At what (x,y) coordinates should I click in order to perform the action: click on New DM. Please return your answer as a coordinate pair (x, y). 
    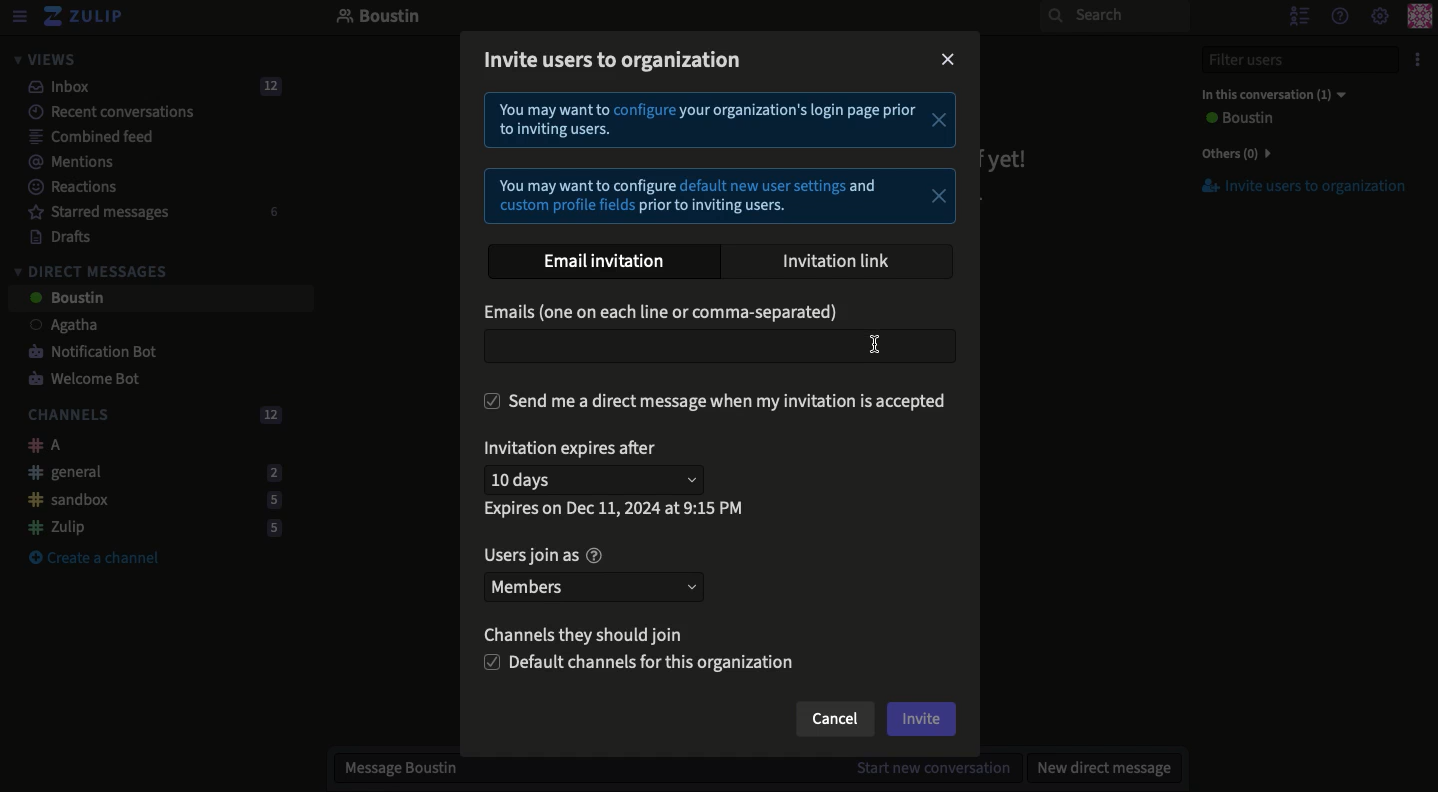
    Looking at the image, I should click on (1099, 767).